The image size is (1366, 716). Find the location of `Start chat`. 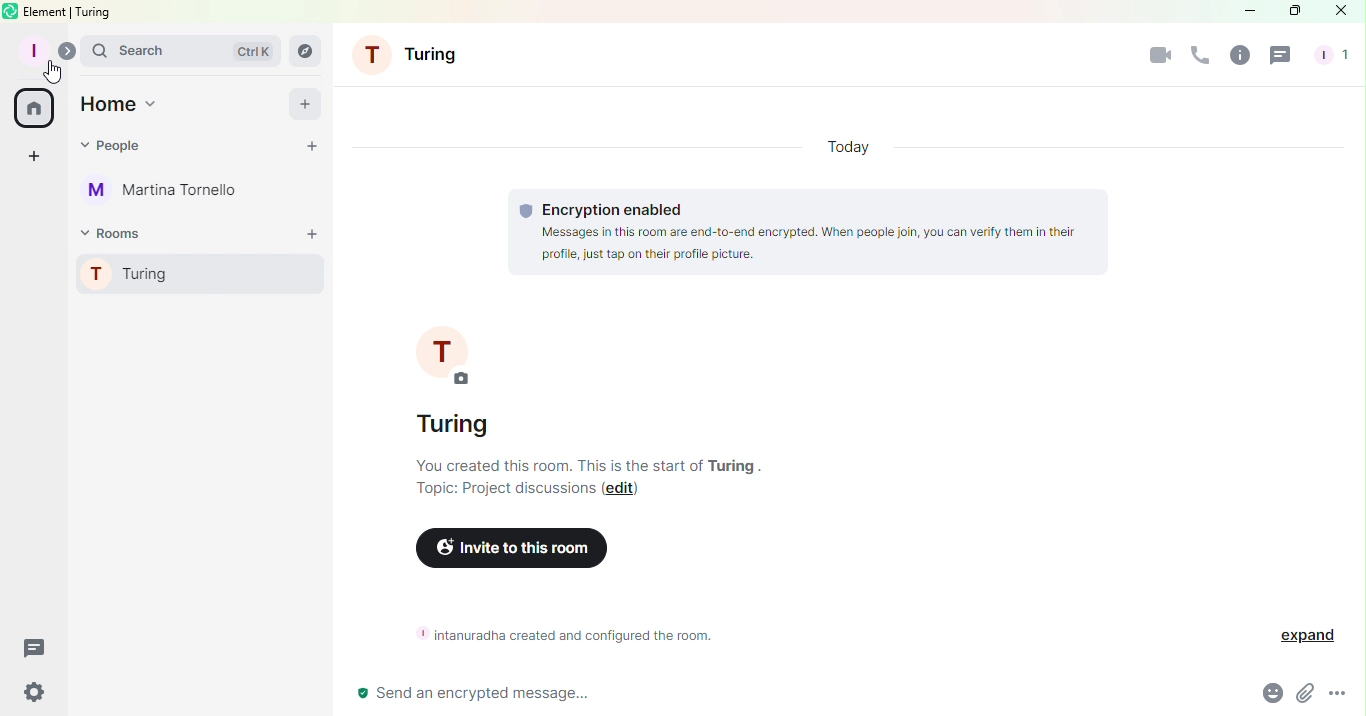

Start chat is located at coordinates (315, 145).